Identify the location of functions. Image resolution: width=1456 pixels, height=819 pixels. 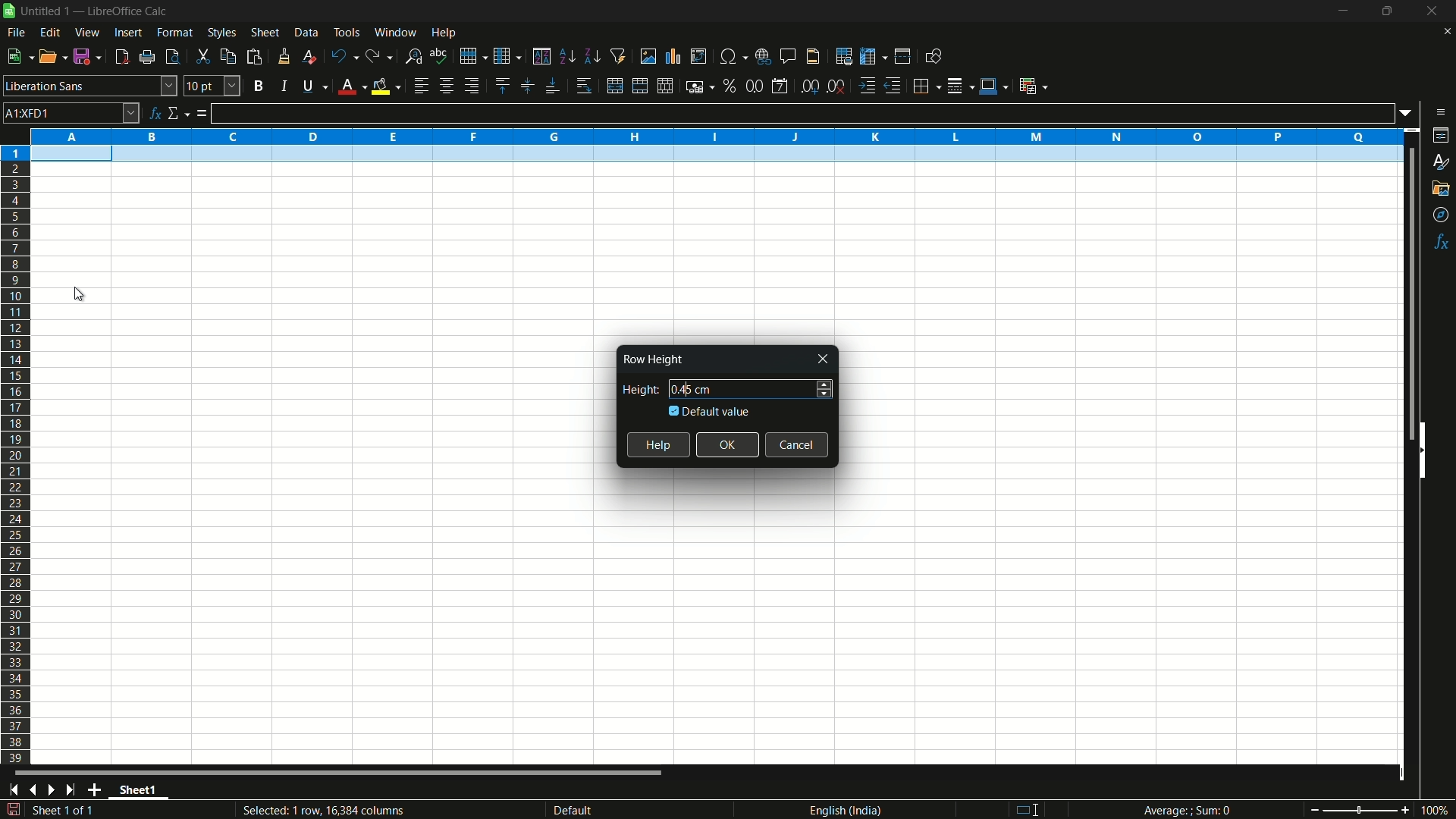
(1442, 242).